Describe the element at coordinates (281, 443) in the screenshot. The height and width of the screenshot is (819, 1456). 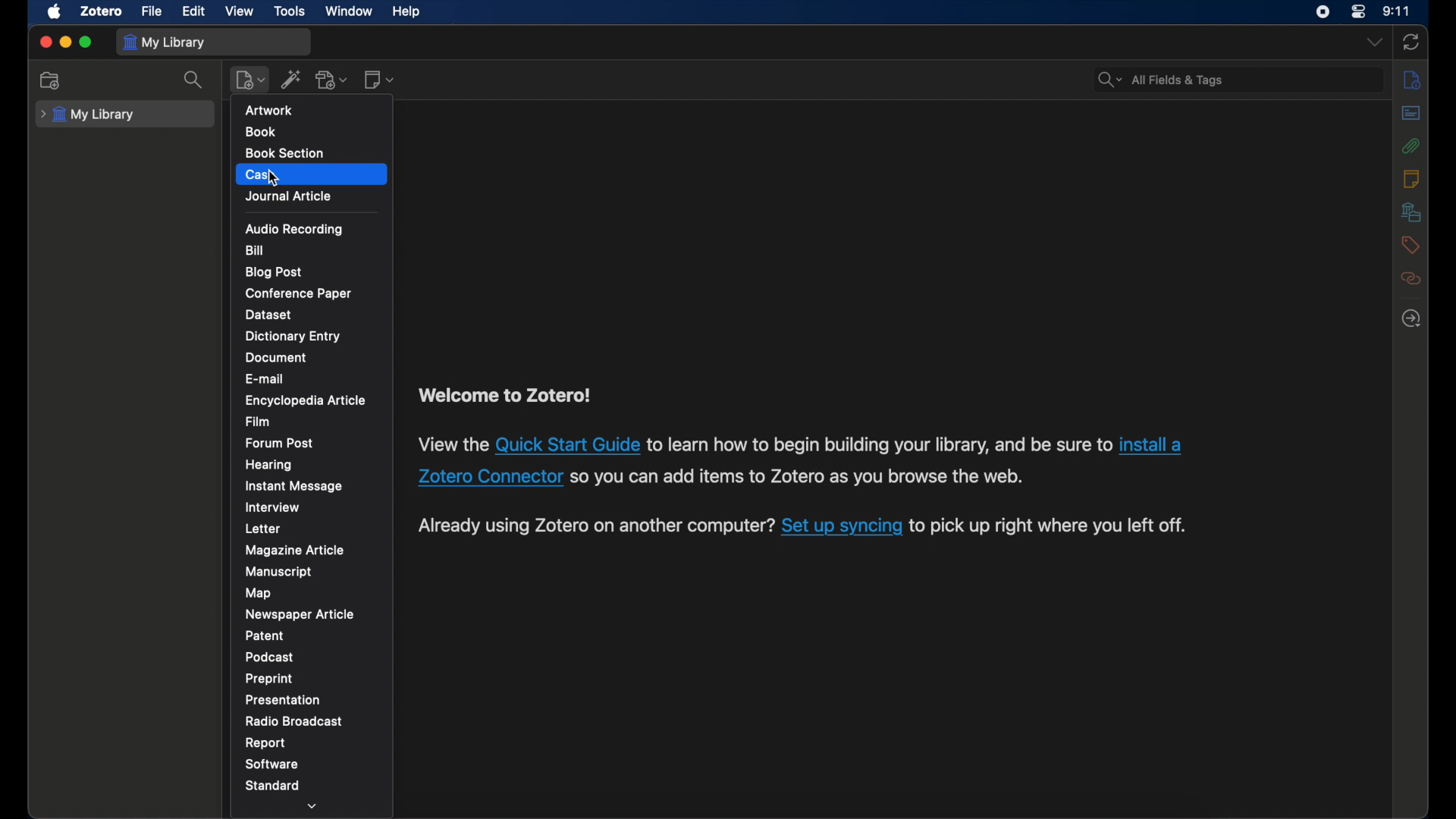
I see `forum post` at that location.